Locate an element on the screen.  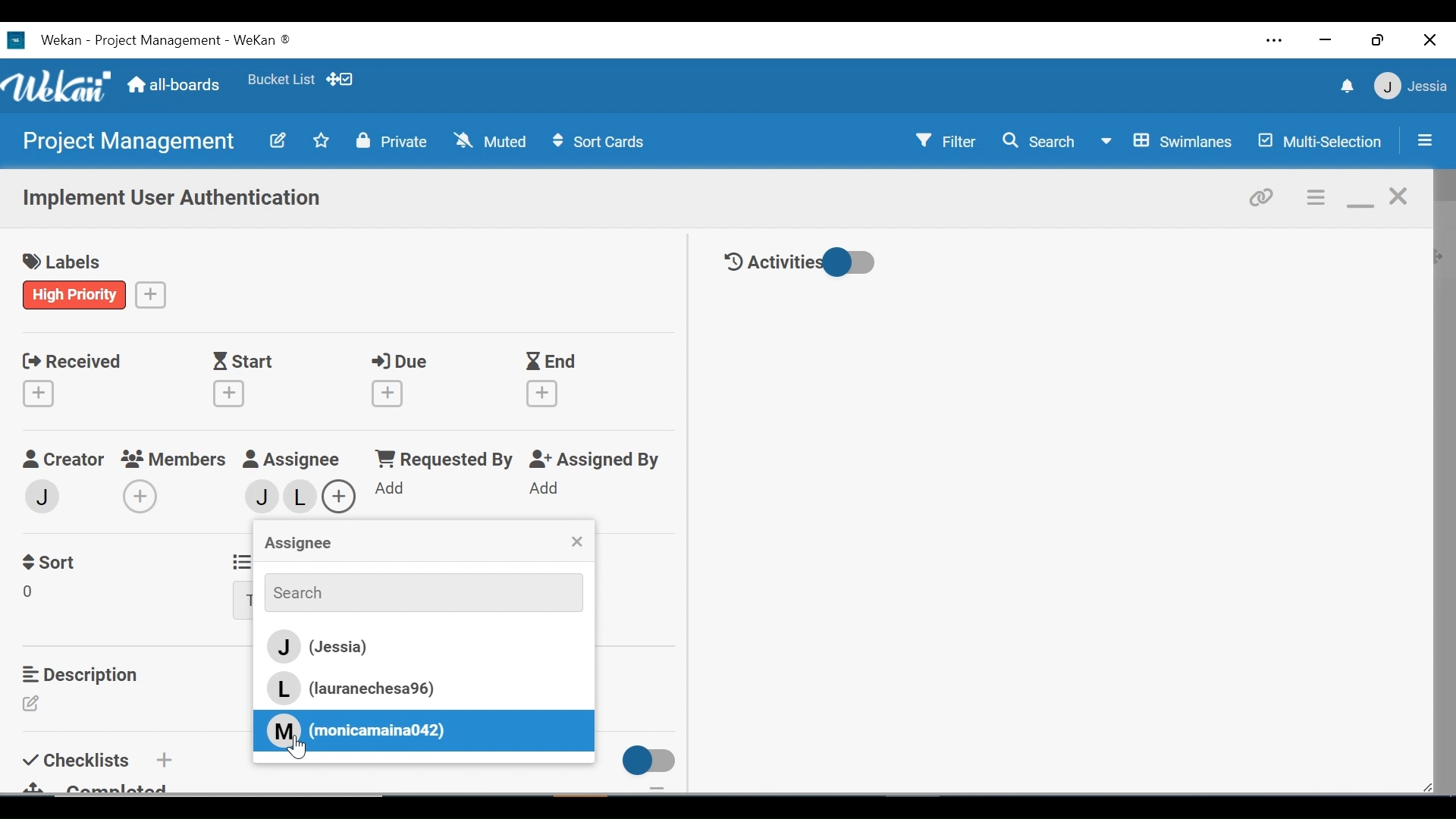
(lauranechesa96) is located at coordinates (365, 689).